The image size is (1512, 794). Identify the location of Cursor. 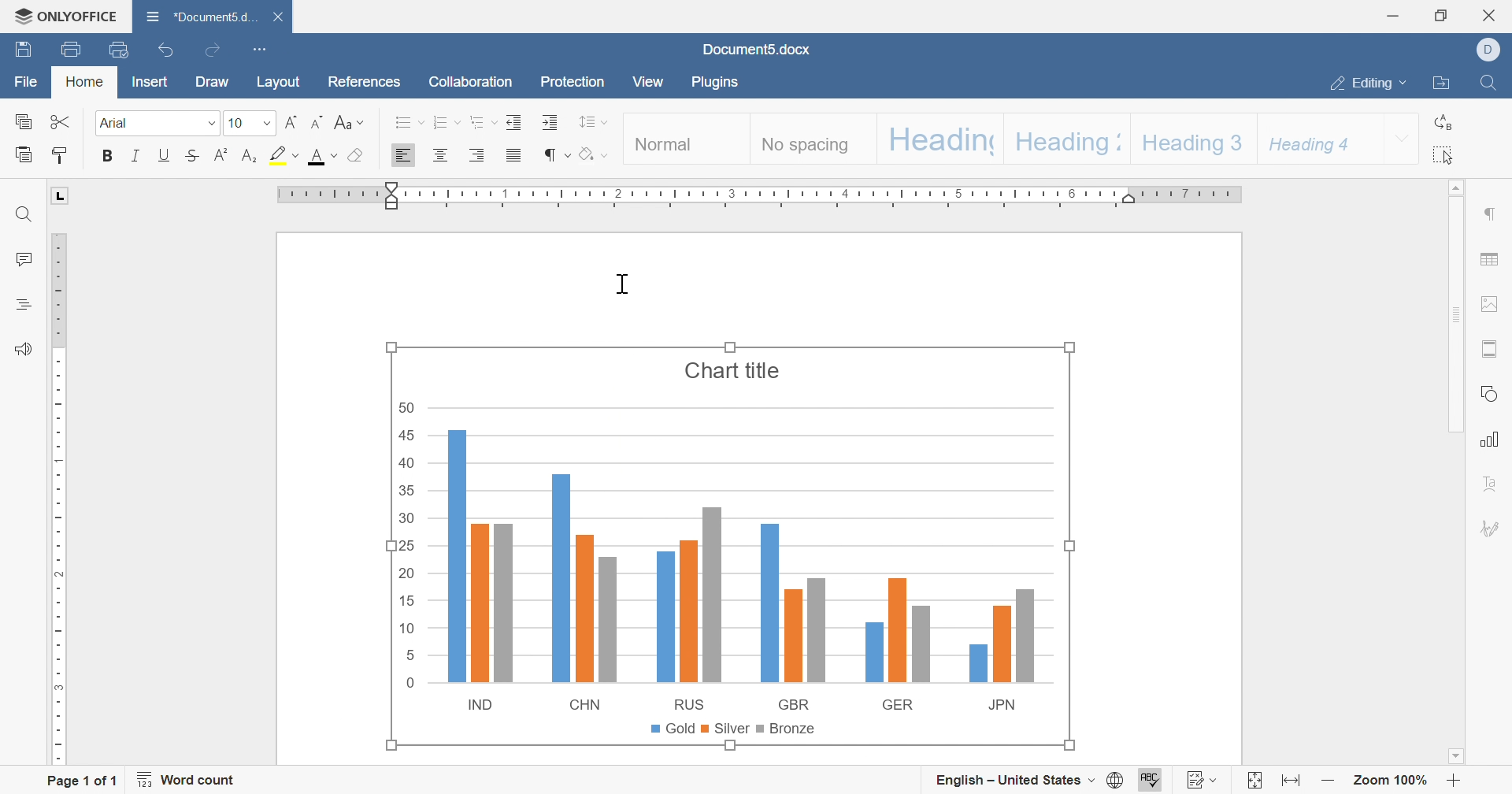
(621, 283).